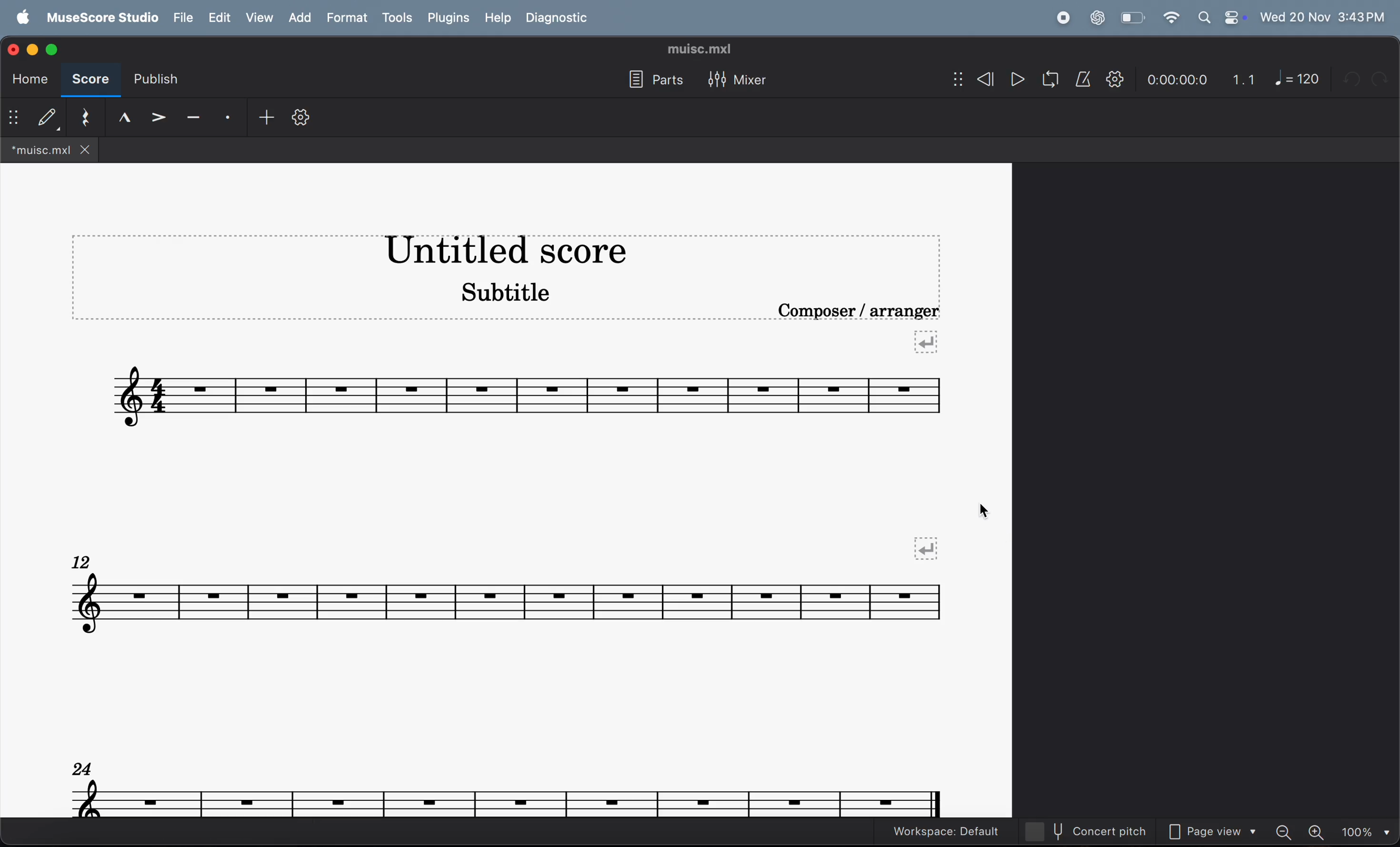 The image size is (1400, 847). What do you see at coordinates (50, 150) in the screenshot?
I see `file name` at bounding box center [50, 150].